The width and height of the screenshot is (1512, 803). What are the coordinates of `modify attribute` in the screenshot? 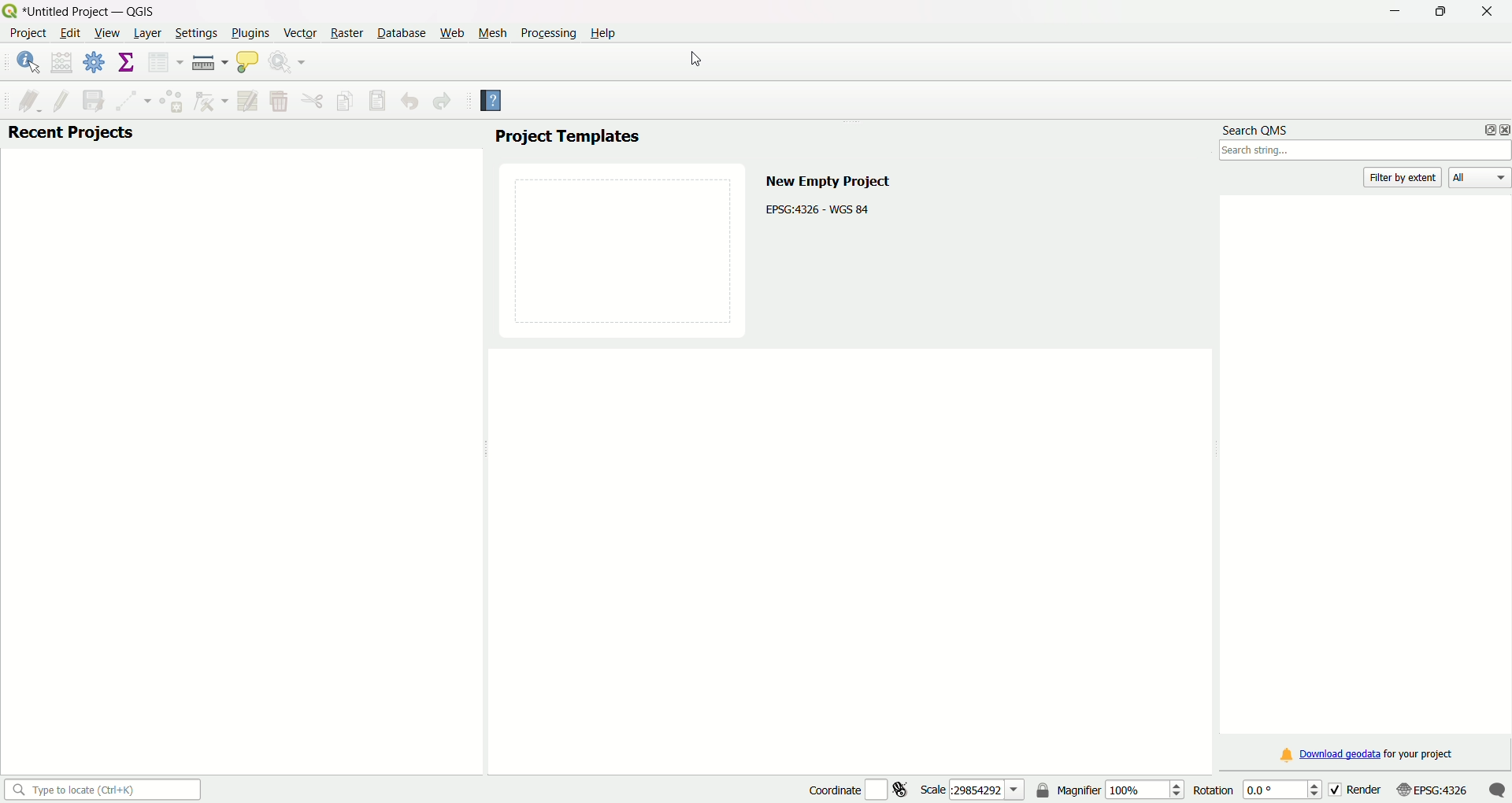 It's located at (247, 101).